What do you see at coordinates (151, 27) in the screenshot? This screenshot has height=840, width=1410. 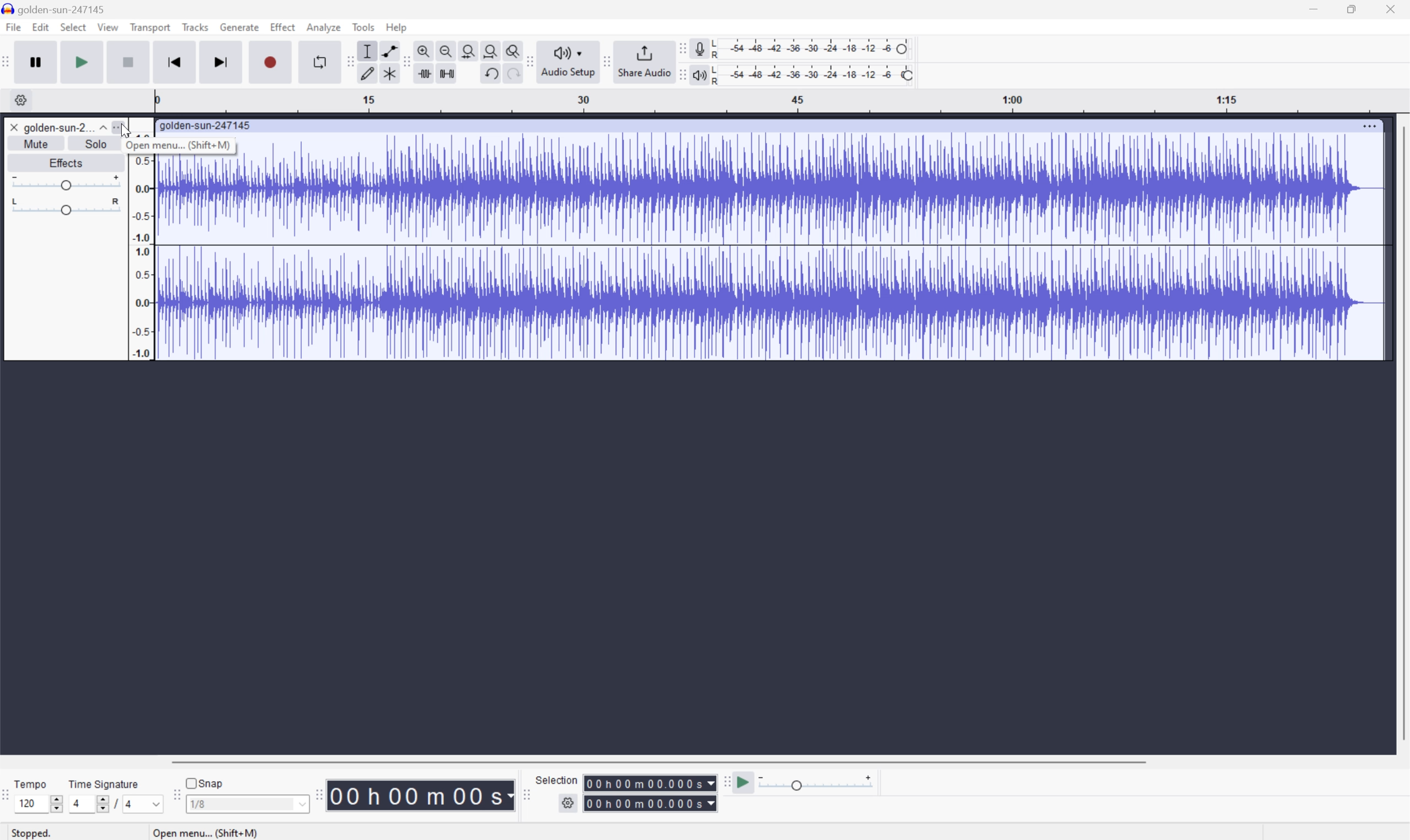 I see `Transport` at bounding box center [151, 27].